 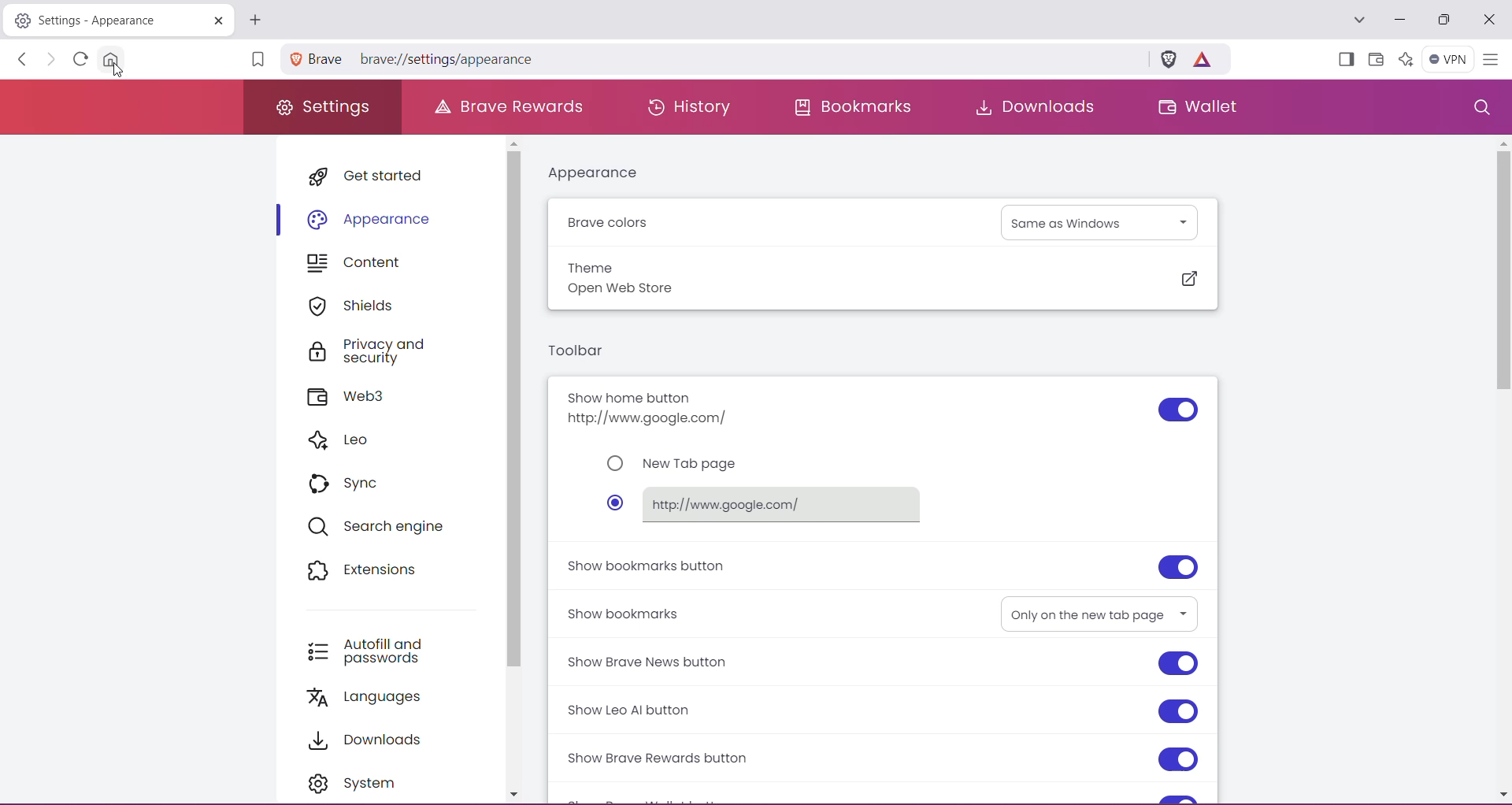 I want to click on Minimize, so click(x=1400, y=20).